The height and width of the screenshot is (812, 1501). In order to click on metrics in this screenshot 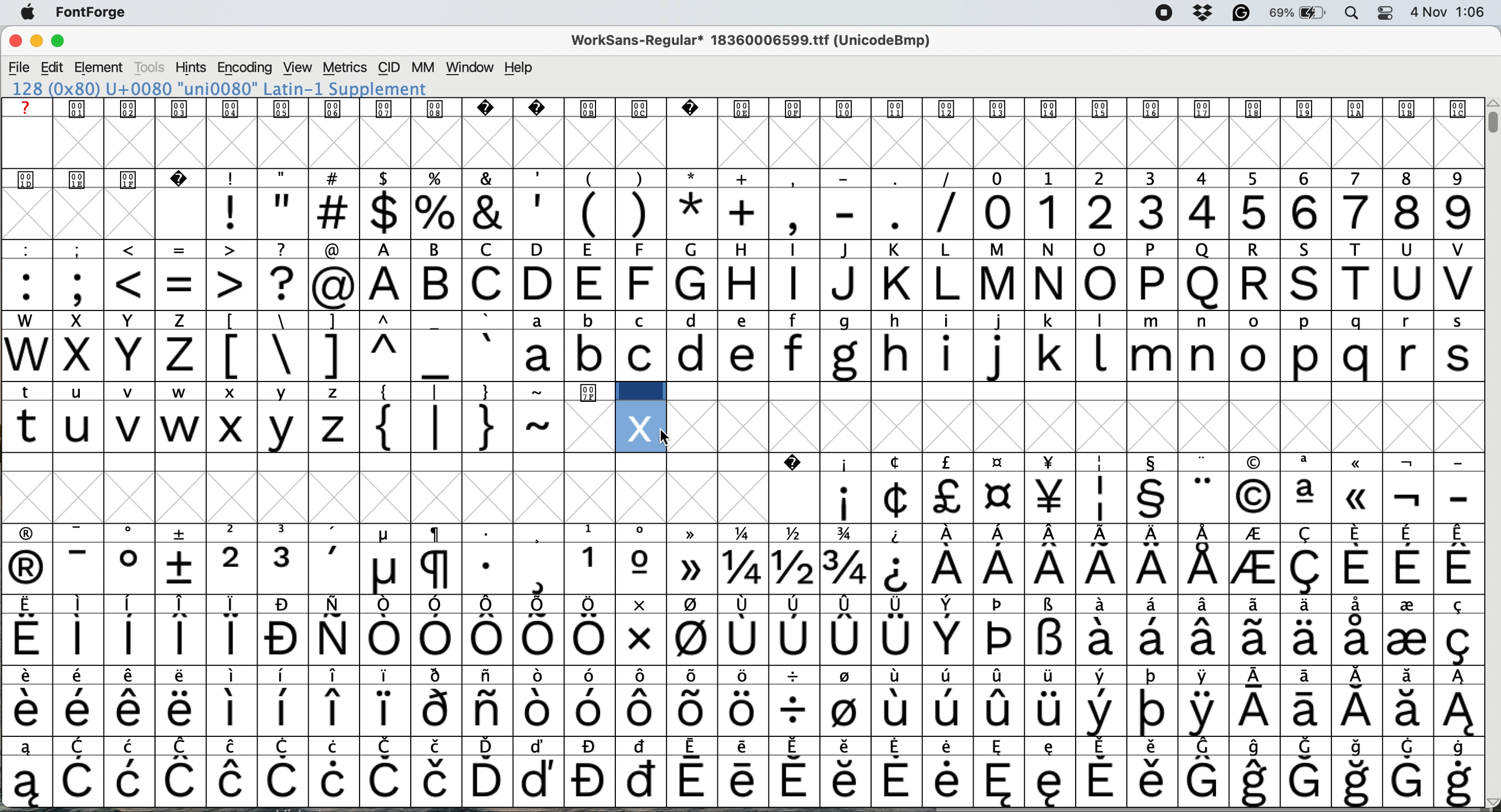, I will do `click(346, 68)`.